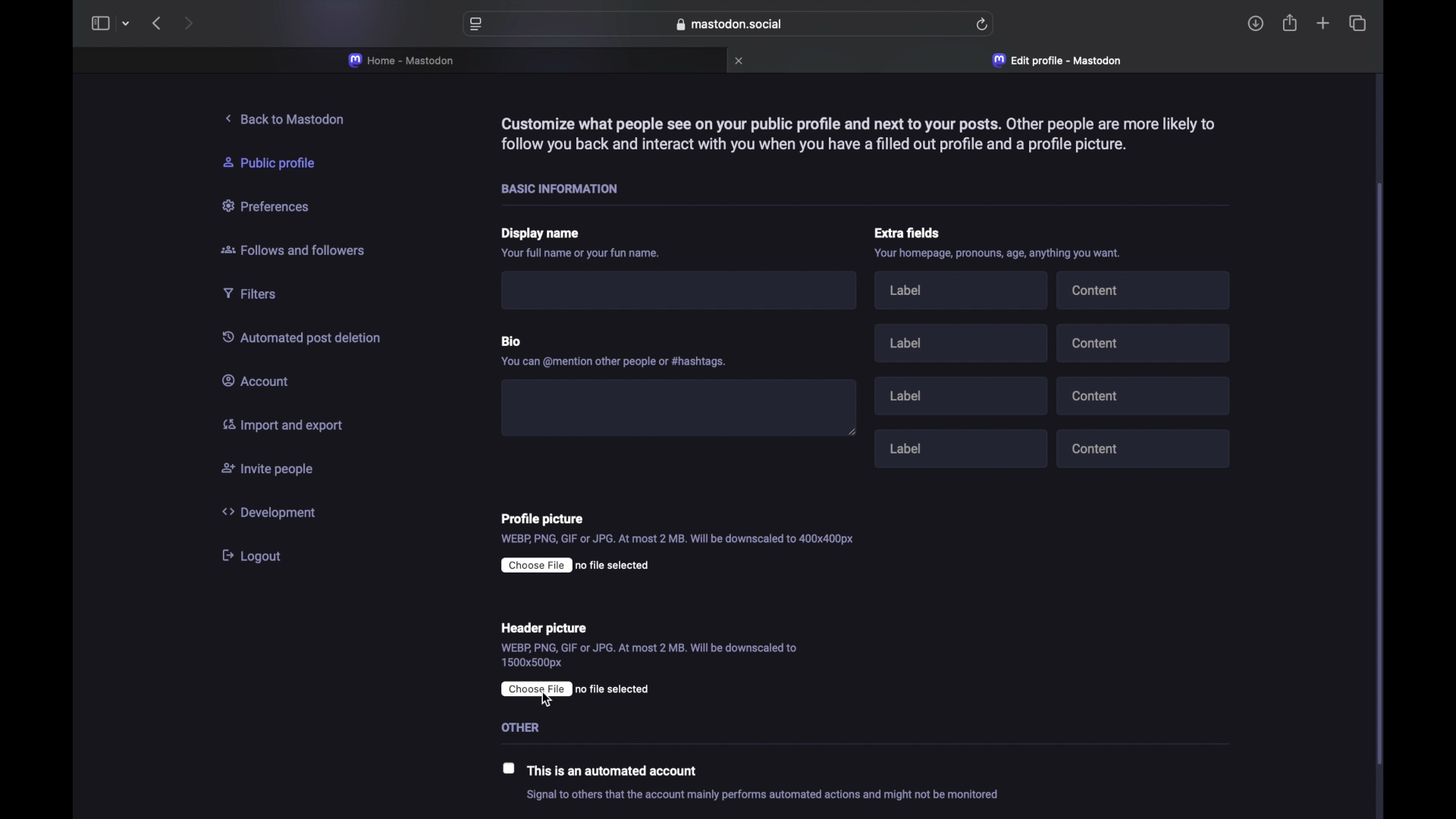  I want to click on <> Development, so click(275, 512).